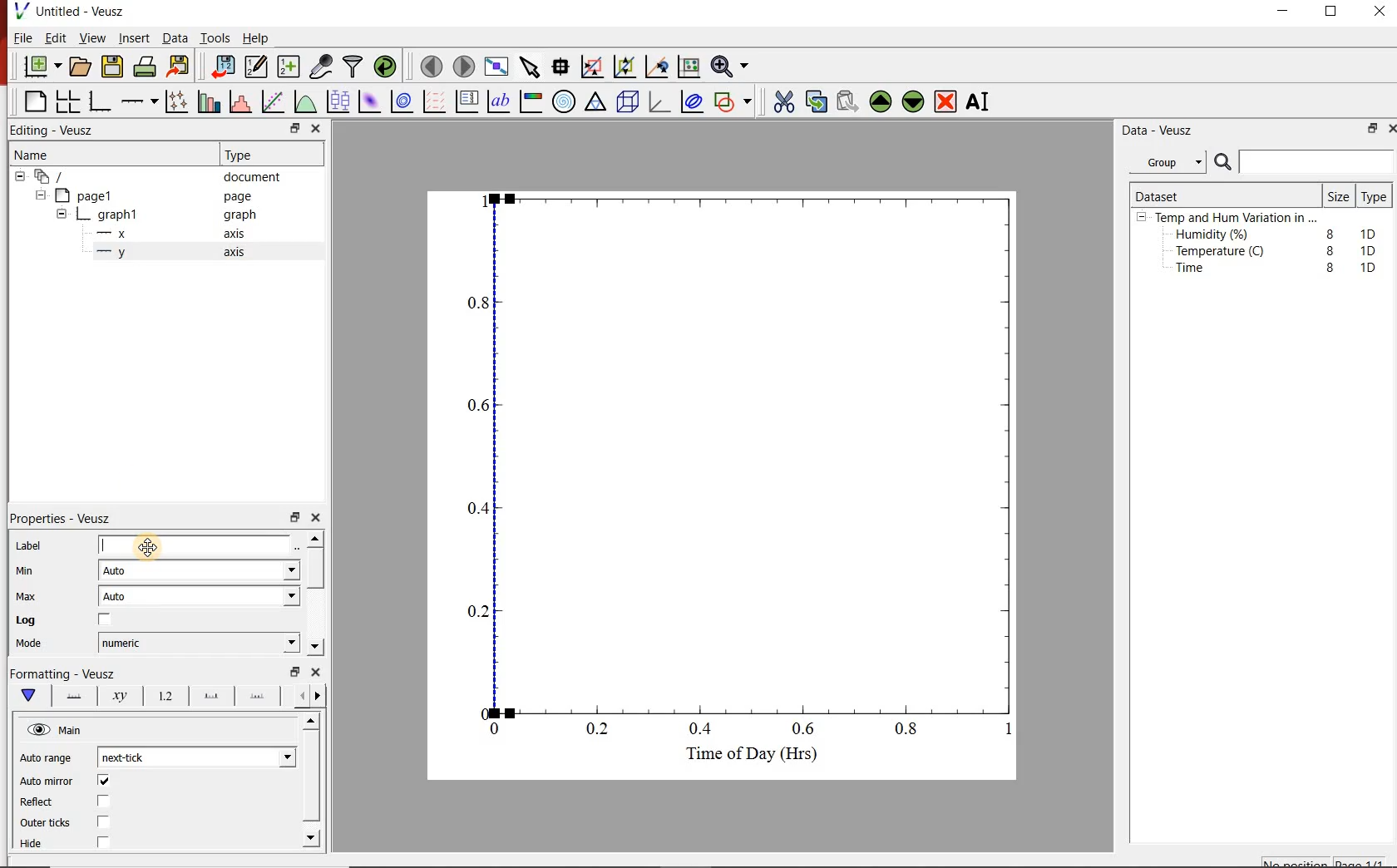 The height and width of the screenshot is (868, 1397). Describe the element at coordinates (180, 66) in the screenshot. I see `Export to graphics format` at that location.